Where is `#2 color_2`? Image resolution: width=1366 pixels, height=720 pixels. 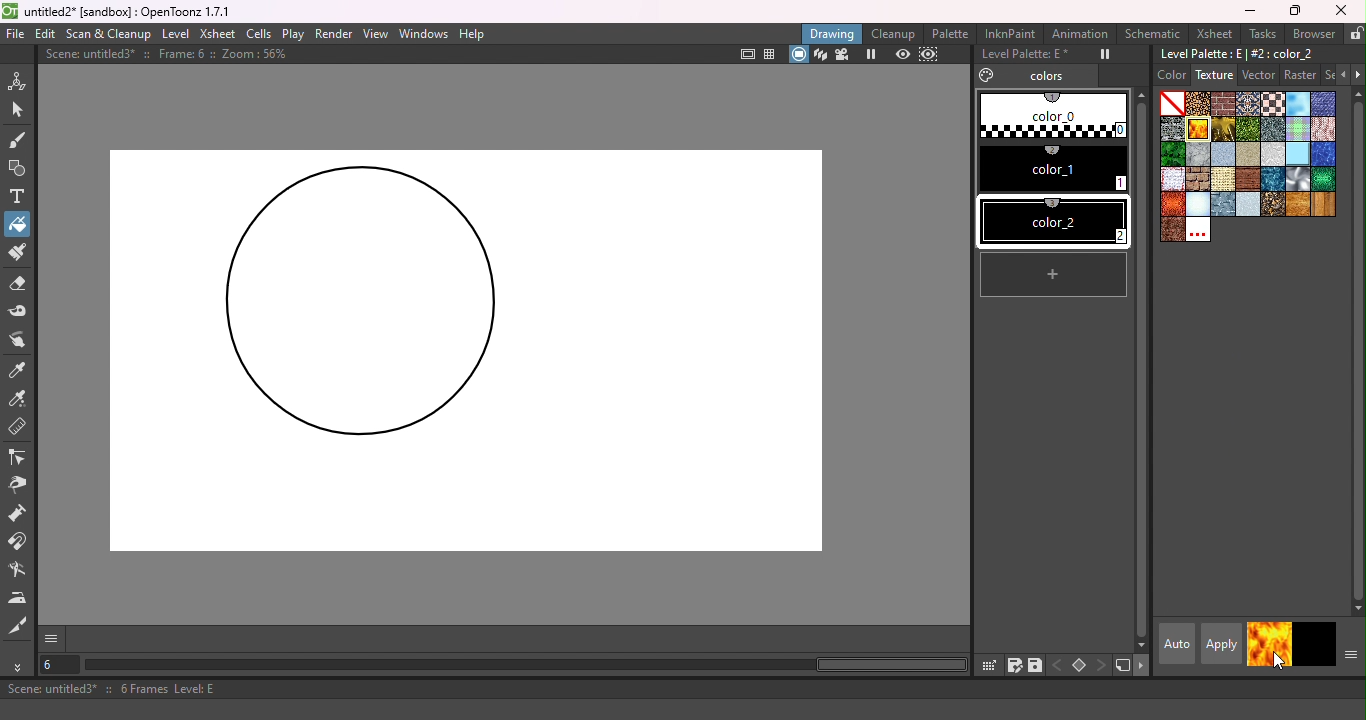
#2 color_2 is located at coordinates (1055, 223).